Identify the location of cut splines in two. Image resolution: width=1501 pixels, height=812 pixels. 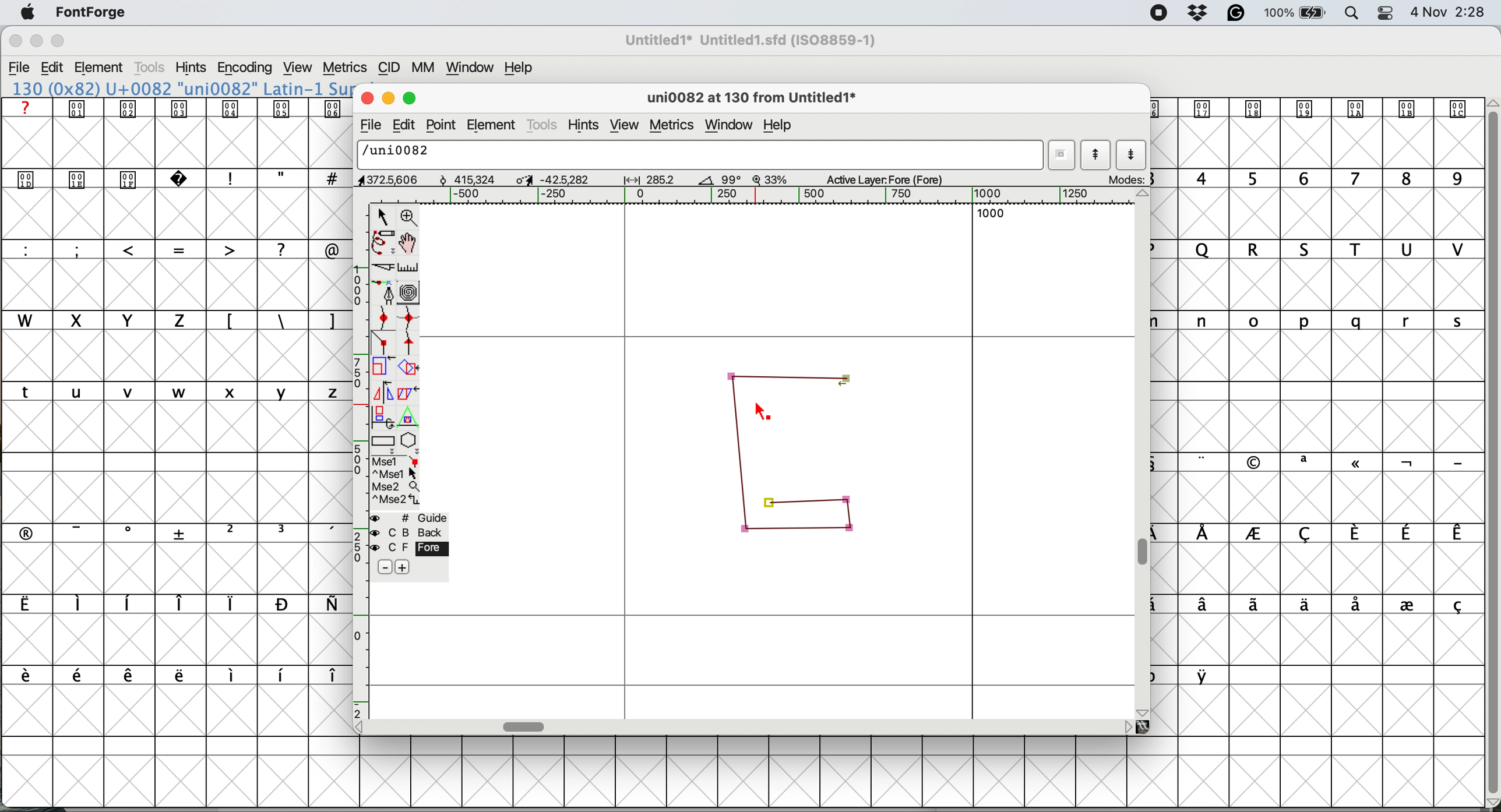
(386, 267).